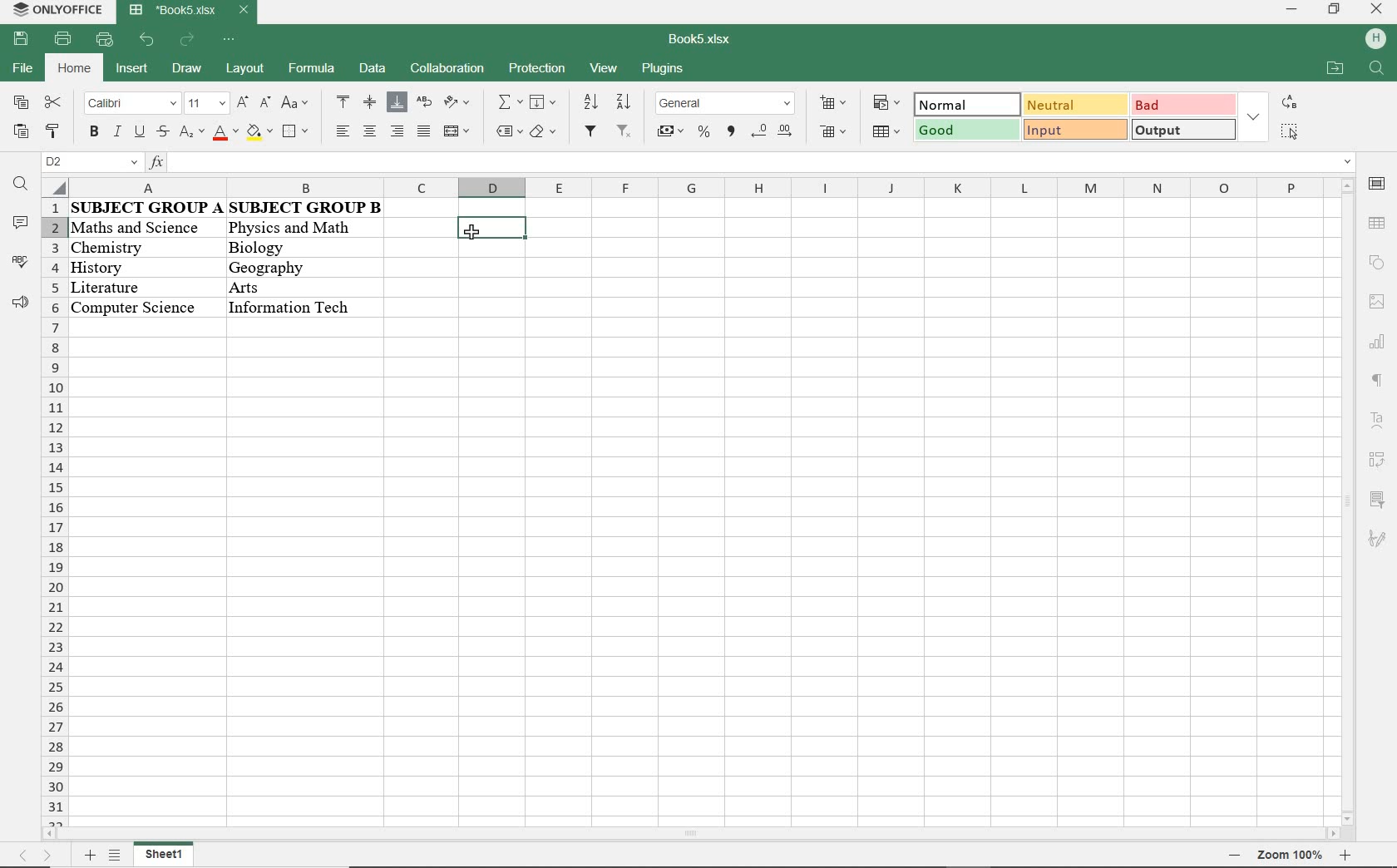 This screenshot has width=1397, height=868. What do you see at coordinates (1380, 345) in the screenshot?
I see `sign` at bounding box center [1380, 345].